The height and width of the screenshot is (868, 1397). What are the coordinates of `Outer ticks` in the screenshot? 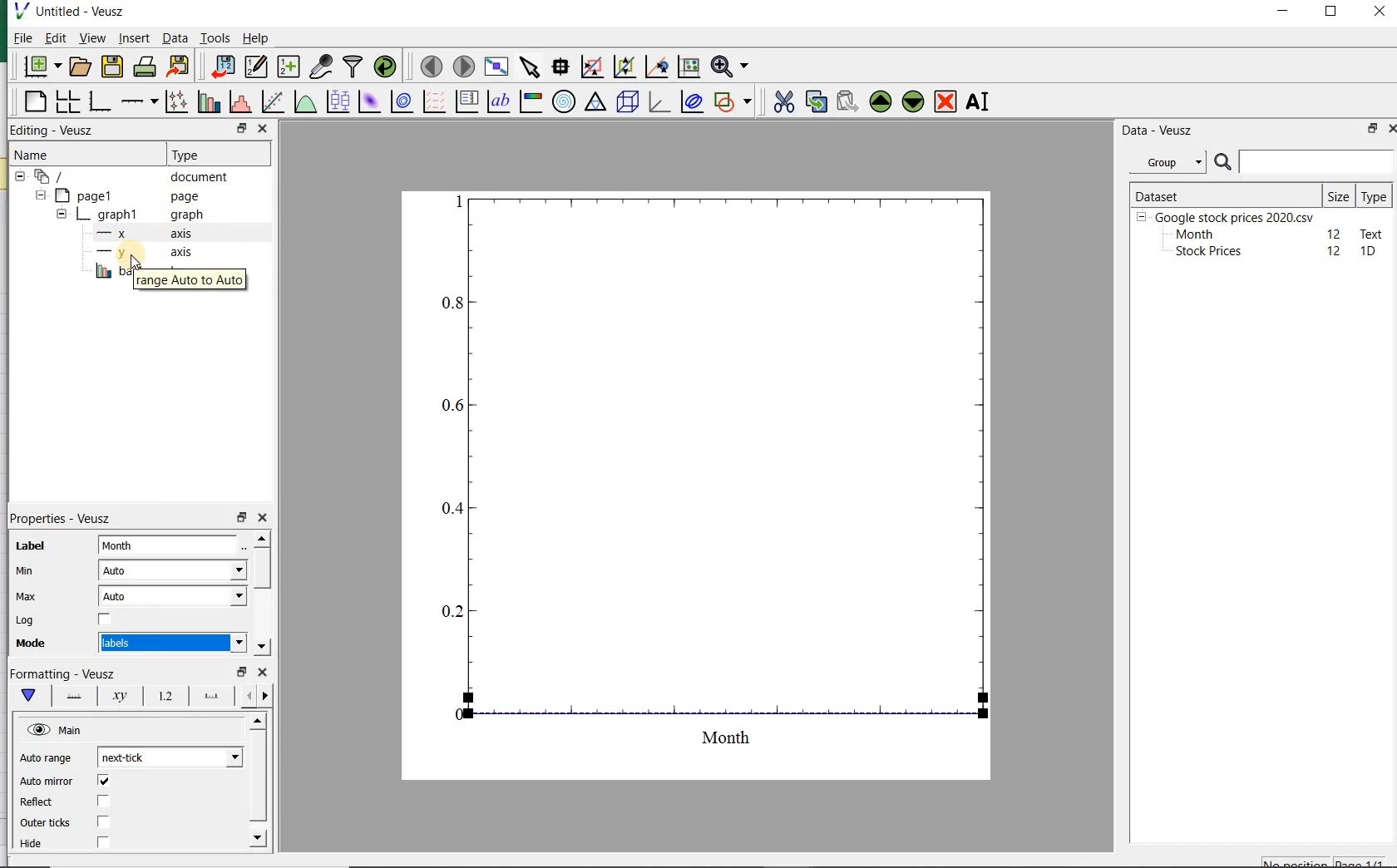 It's located at (45, 823).